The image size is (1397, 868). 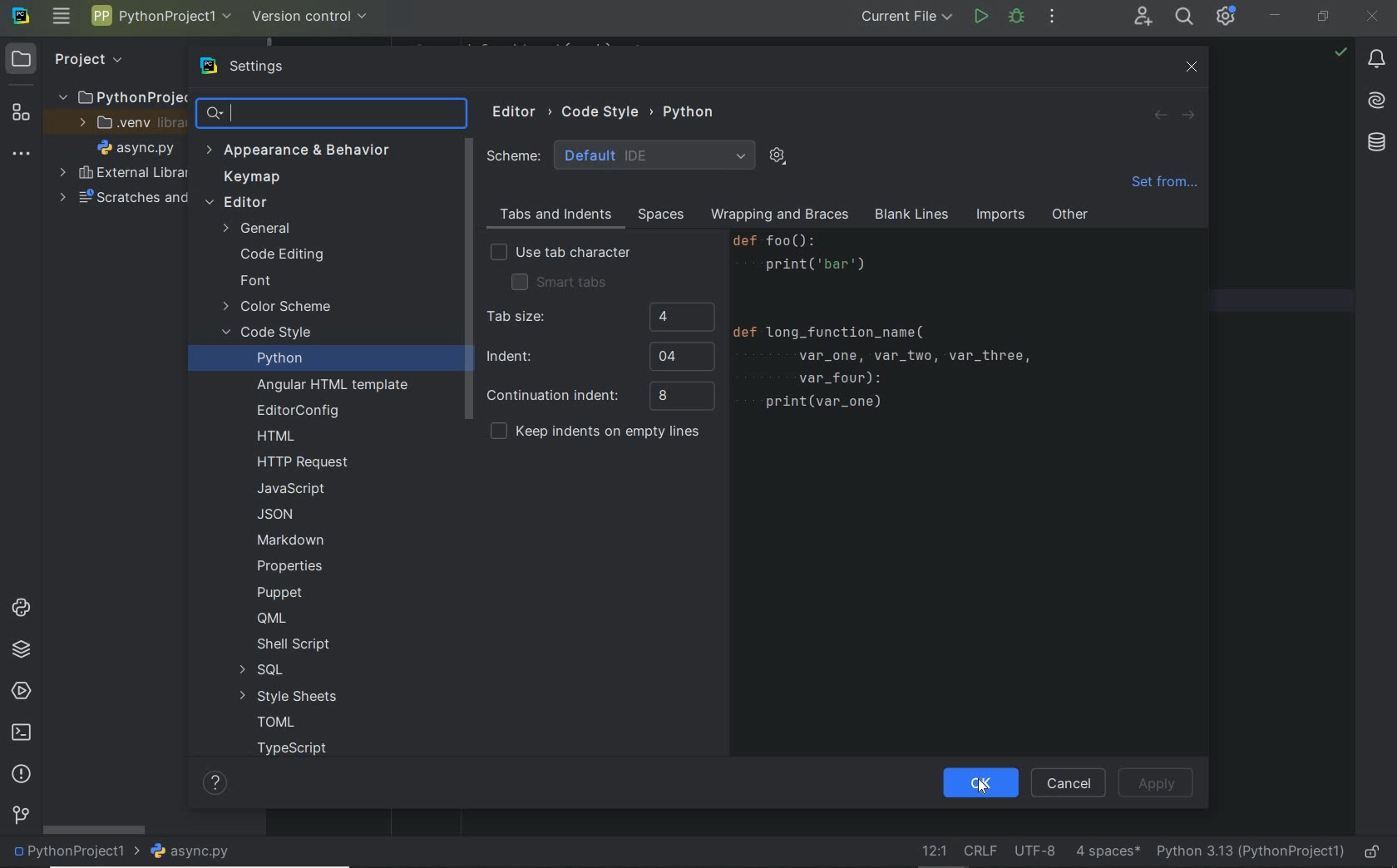 What do you see at coordinates (595, 433) in the screenshot?
I see `keep indents on empty lines` at bounding box center [595, 433].